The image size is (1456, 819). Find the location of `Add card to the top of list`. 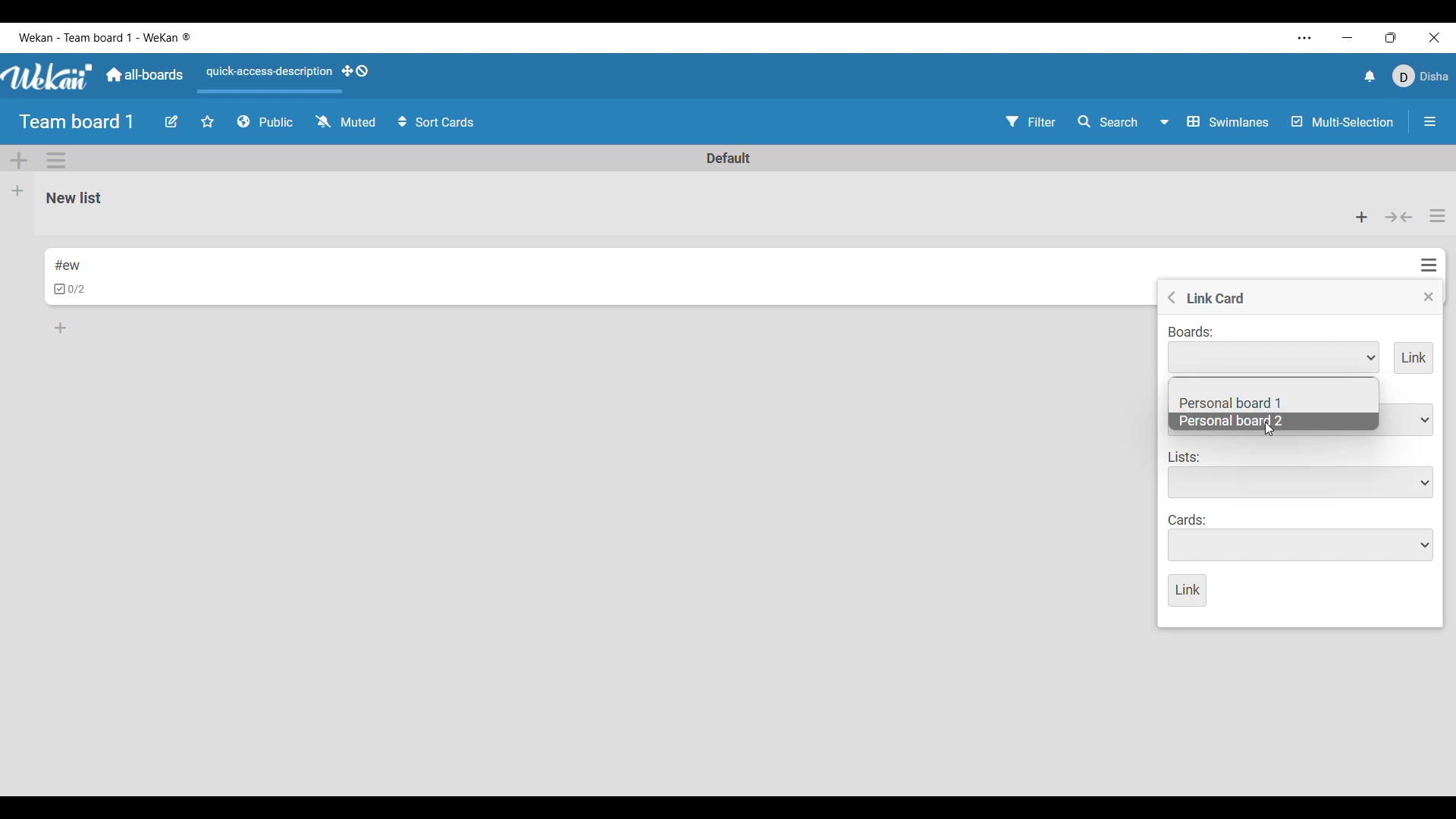

Add card to the top of list is located at coordinates (1362, 217).